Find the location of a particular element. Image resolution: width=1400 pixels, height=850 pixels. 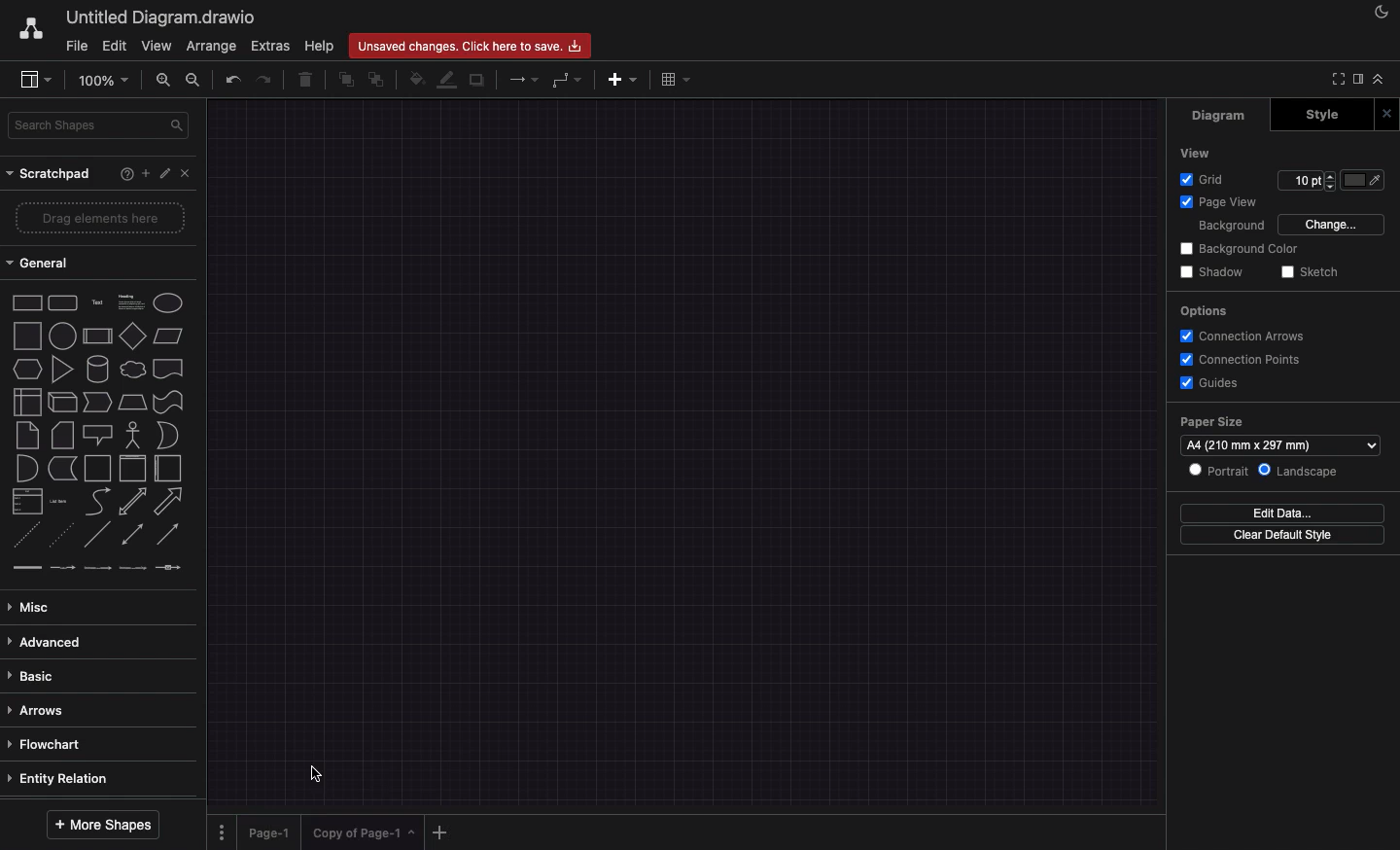

connector with label is located at coordinates (64, 568).